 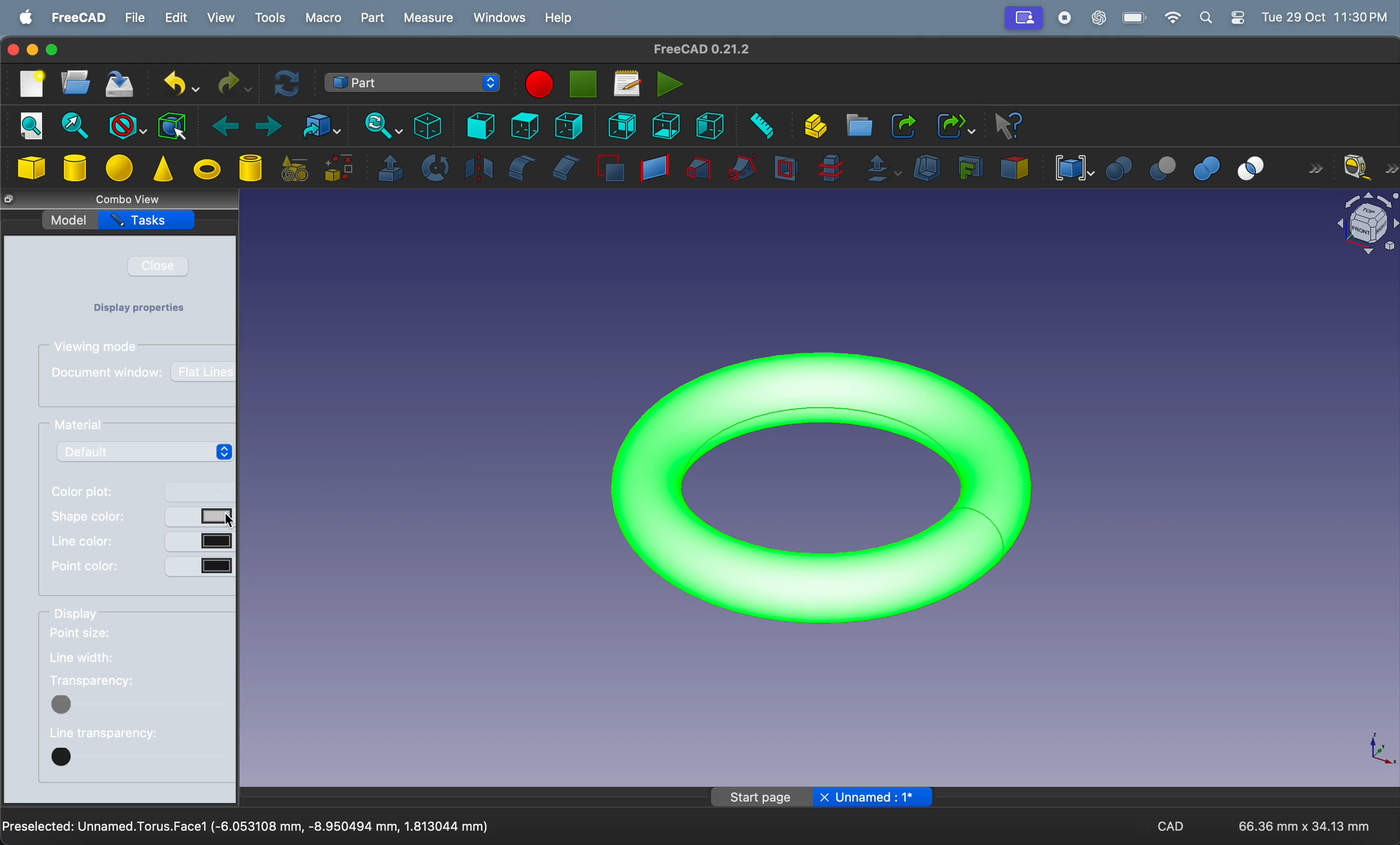 I want to click on windows, so click(x=499, y=17).